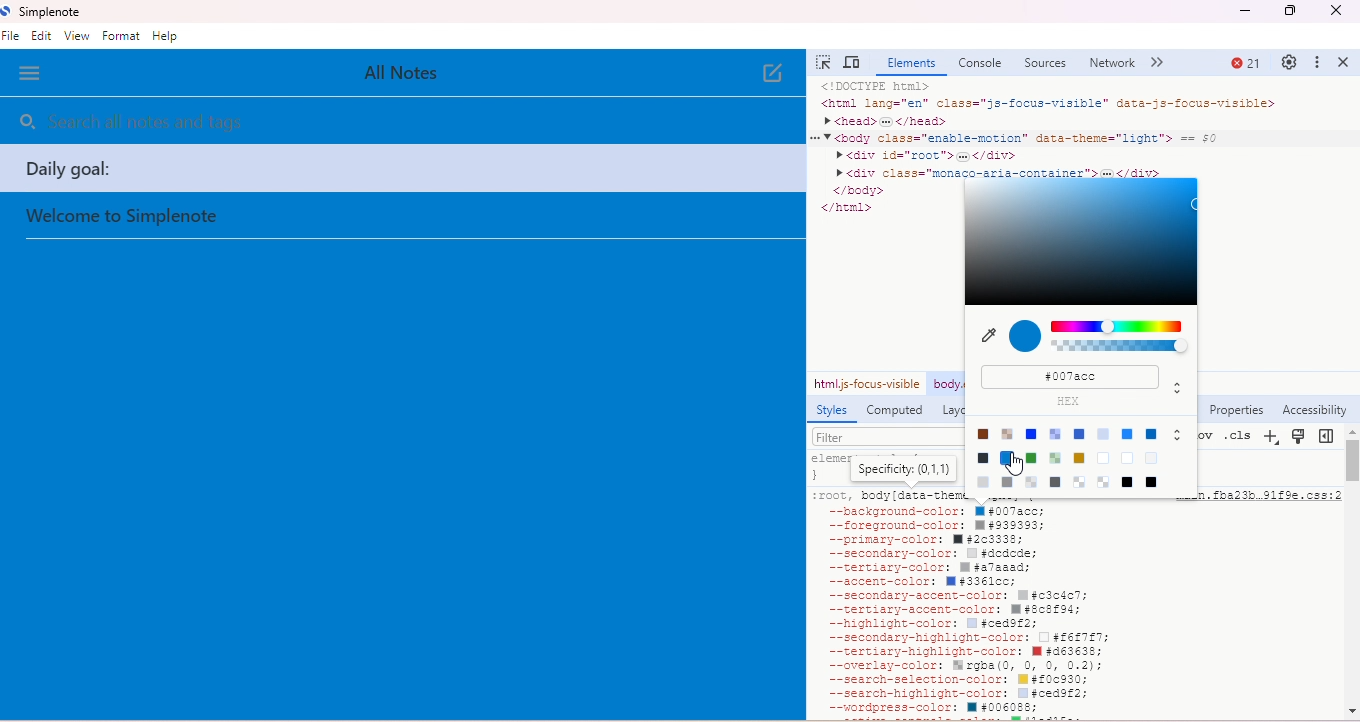 This screenshot has height=722, width=1360. What do you see at coordinates (896, 411) in the screenshot?
I see `computed` at bounding box center [896, 411].